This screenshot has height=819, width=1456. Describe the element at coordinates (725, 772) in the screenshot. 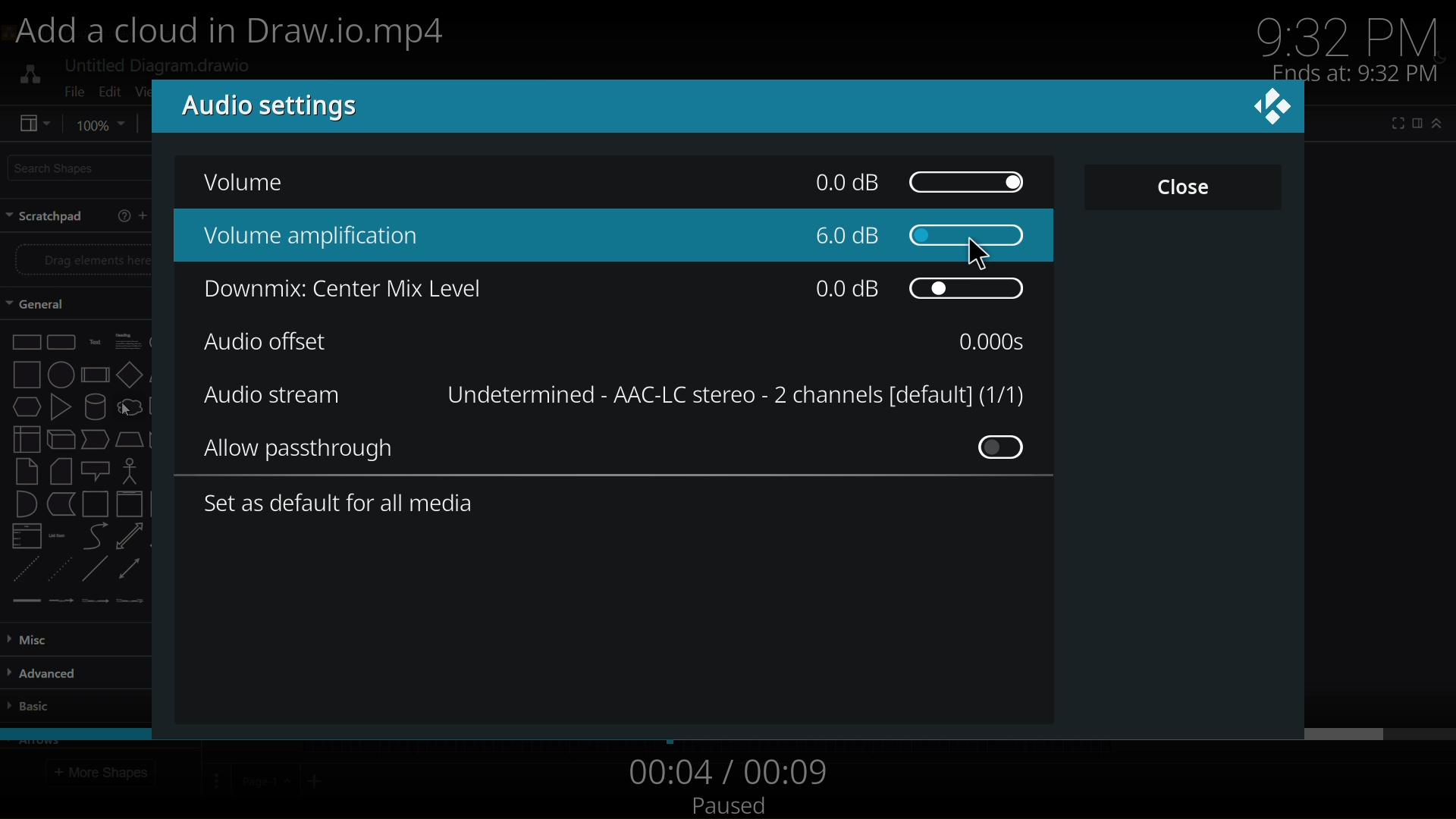

I see `00:04 / 00:09` at that location.